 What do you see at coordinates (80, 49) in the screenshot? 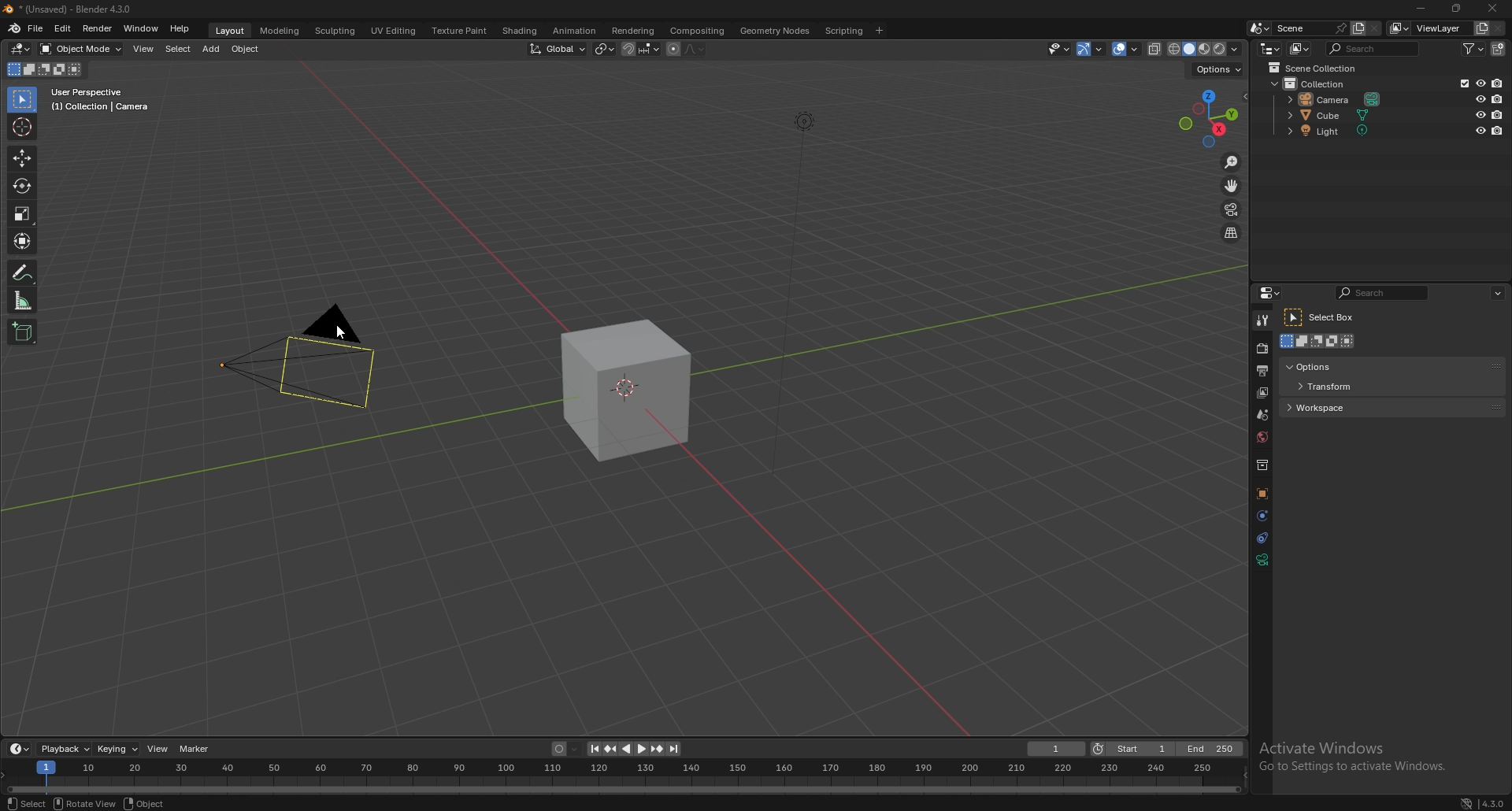
I see `object mode` at bounding box center [80, 49].